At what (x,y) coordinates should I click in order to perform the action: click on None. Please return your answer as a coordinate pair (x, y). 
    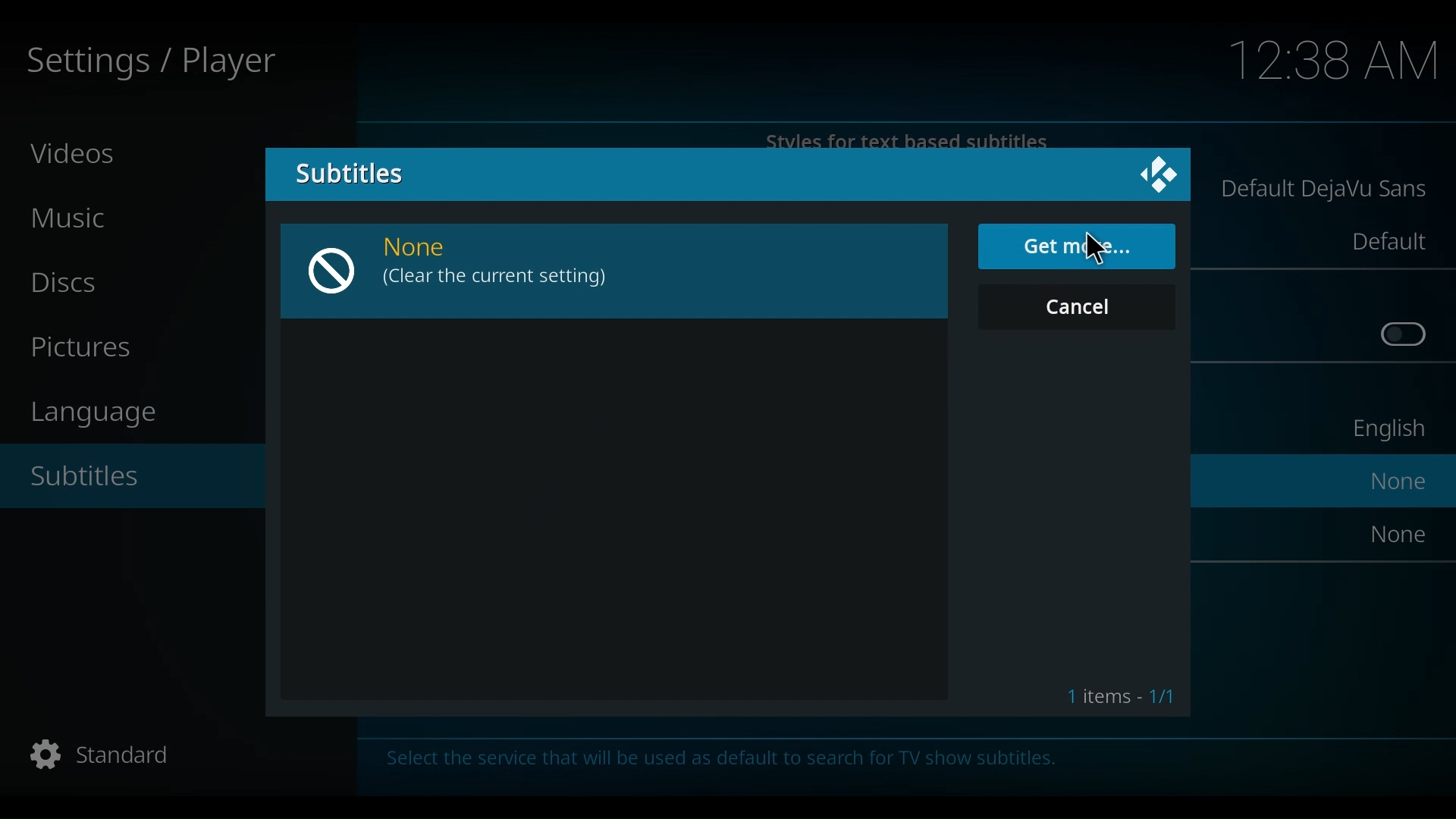
    Looking at the image, I should click on (430, 249).